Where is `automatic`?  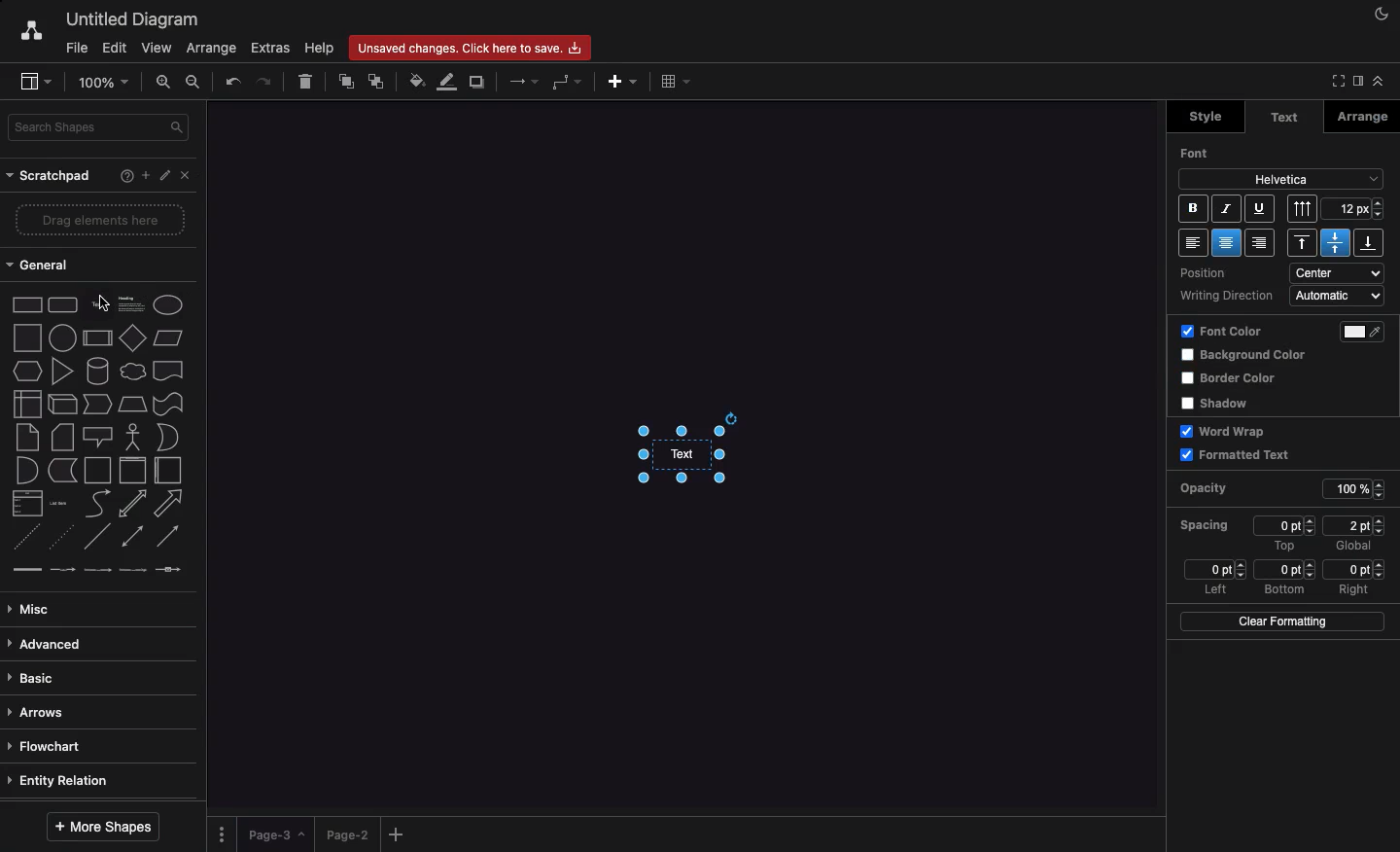 automatic is located at coordinates (1339, 296).